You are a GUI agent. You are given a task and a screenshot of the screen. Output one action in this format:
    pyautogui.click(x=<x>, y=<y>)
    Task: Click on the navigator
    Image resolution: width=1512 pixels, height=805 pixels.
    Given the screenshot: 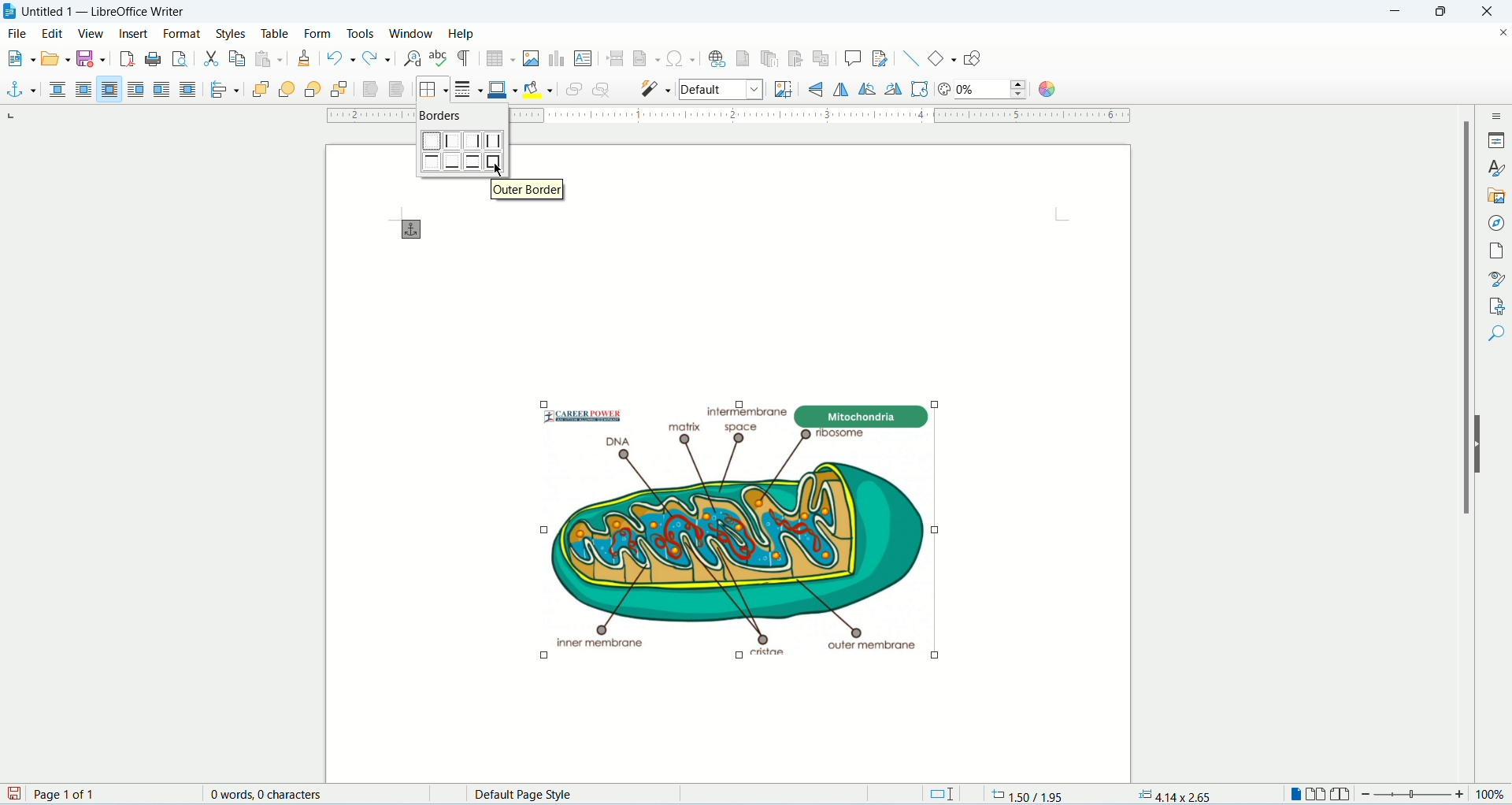 What is the action you would take?
    pyautogui.click(x=1497, y=224)
    